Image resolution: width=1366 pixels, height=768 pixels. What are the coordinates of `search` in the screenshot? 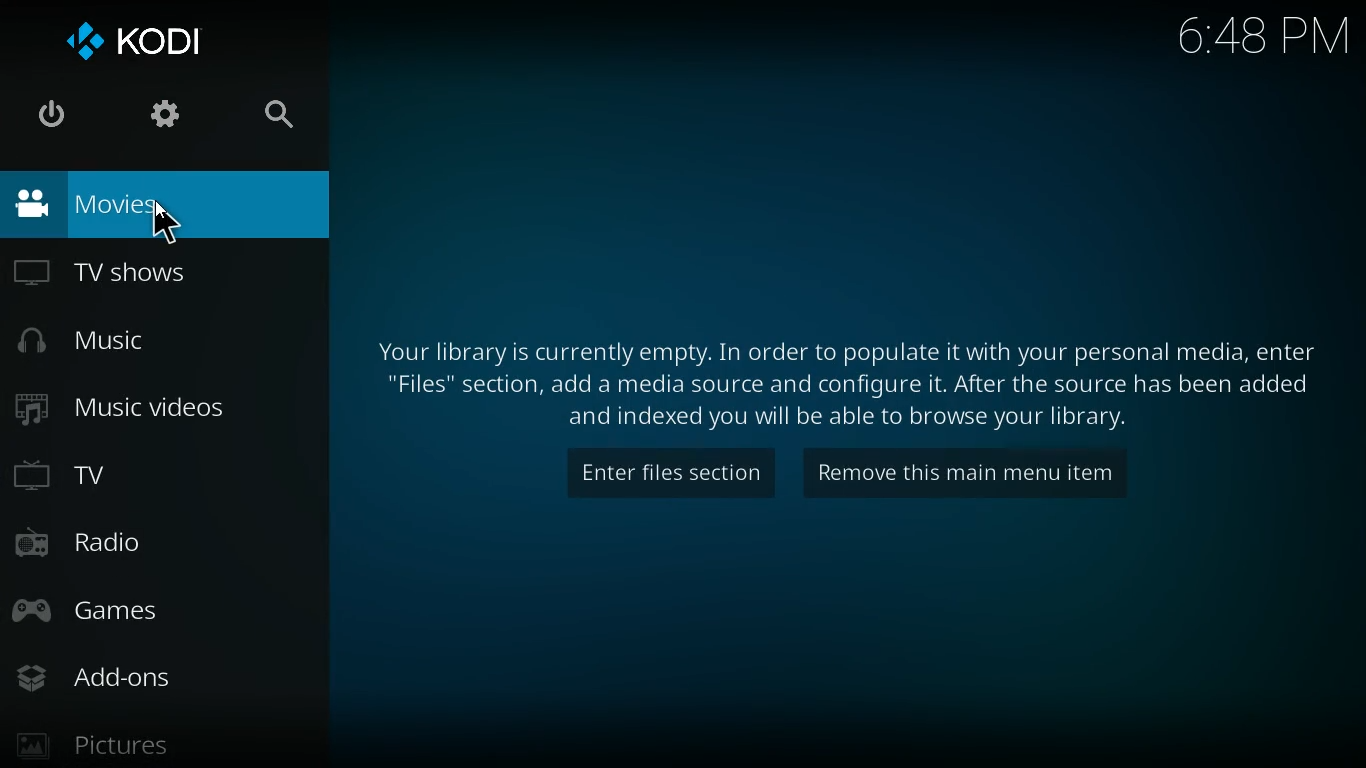 It's located at (271, 117).